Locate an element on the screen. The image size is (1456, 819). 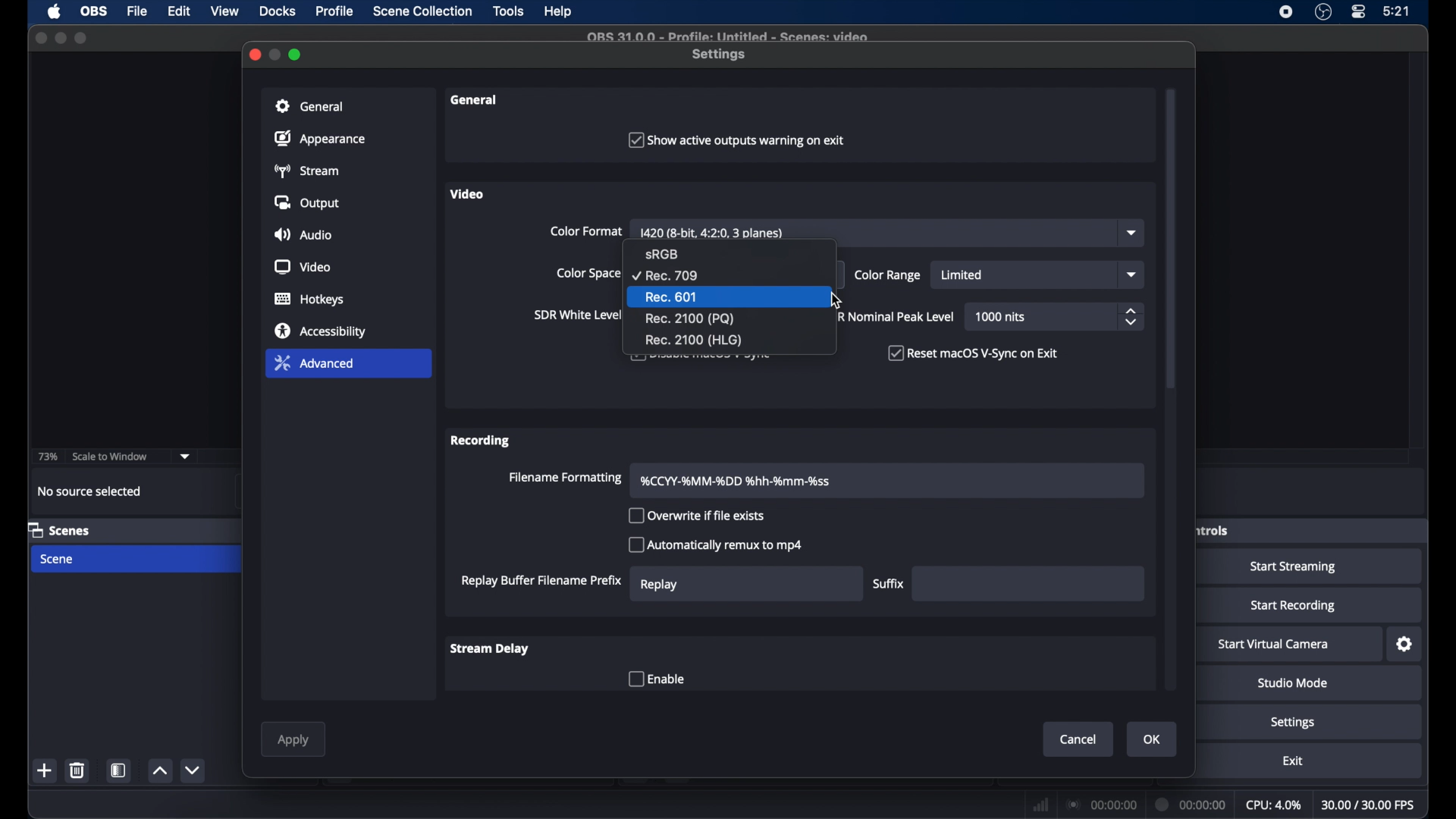
video is located at coordinates (468, 193).